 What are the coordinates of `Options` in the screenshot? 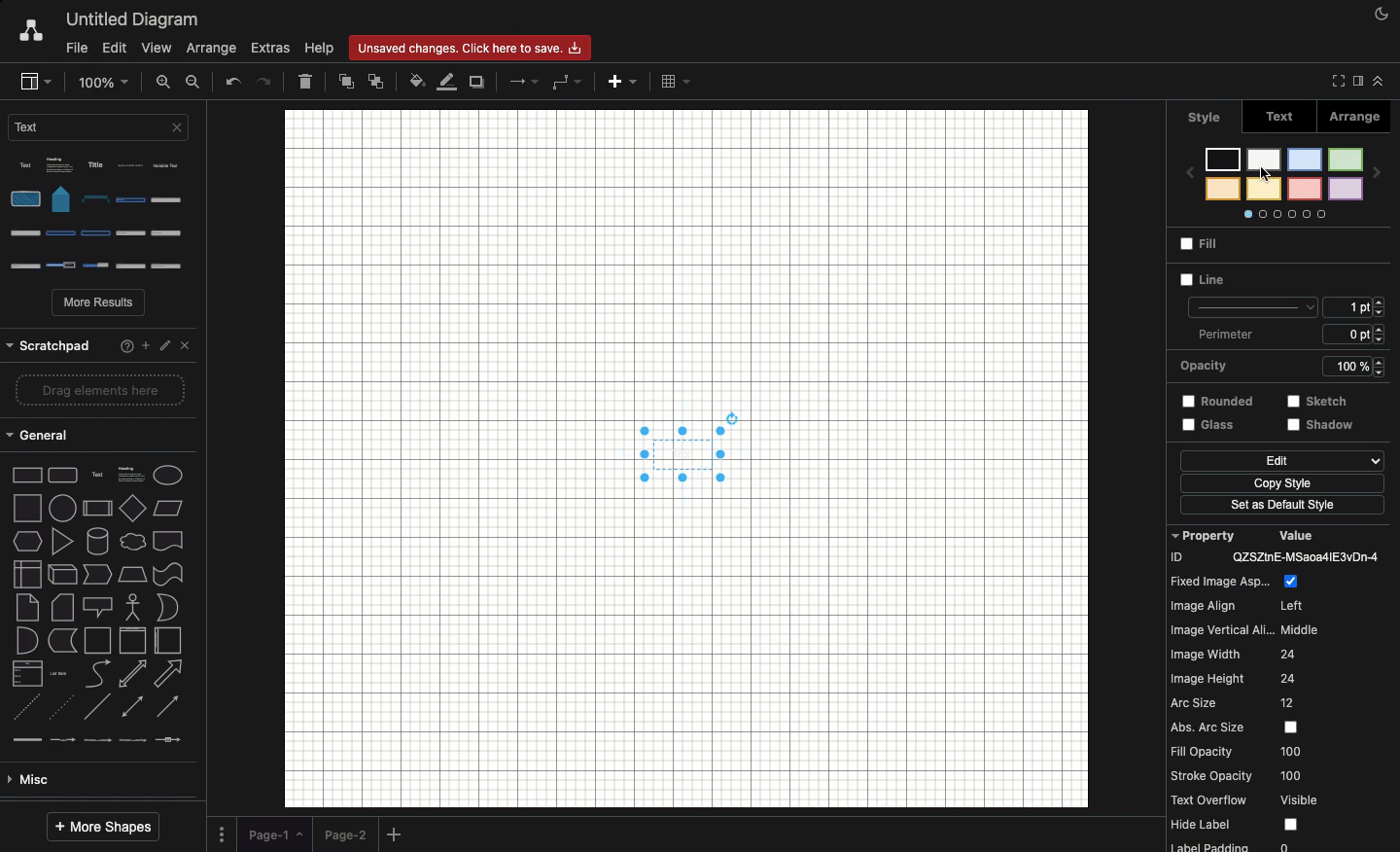 It's located at (104, 216).